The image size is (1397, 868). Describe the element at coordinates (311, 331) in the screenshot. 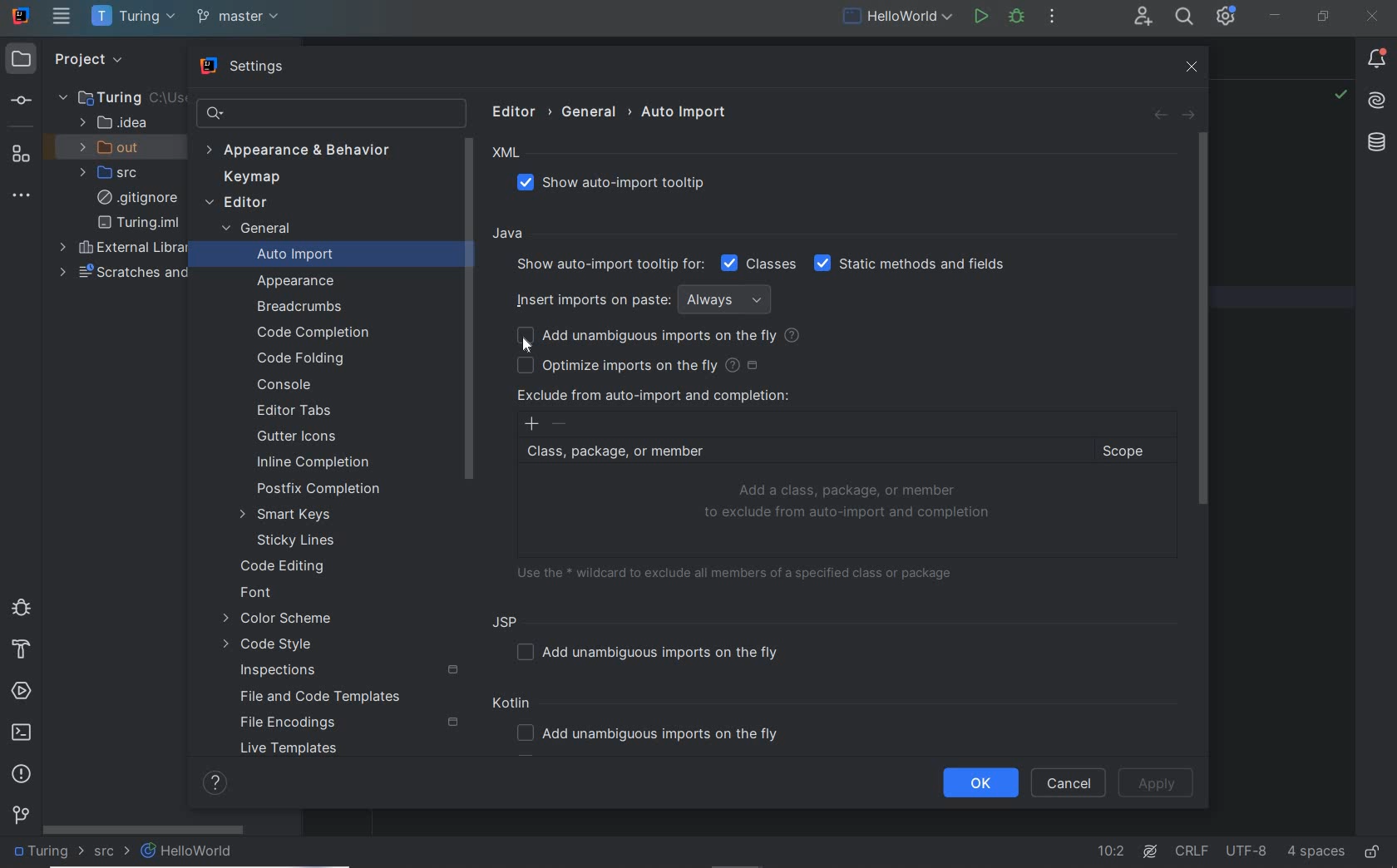

I see `CODE COMPLETION` at that location.